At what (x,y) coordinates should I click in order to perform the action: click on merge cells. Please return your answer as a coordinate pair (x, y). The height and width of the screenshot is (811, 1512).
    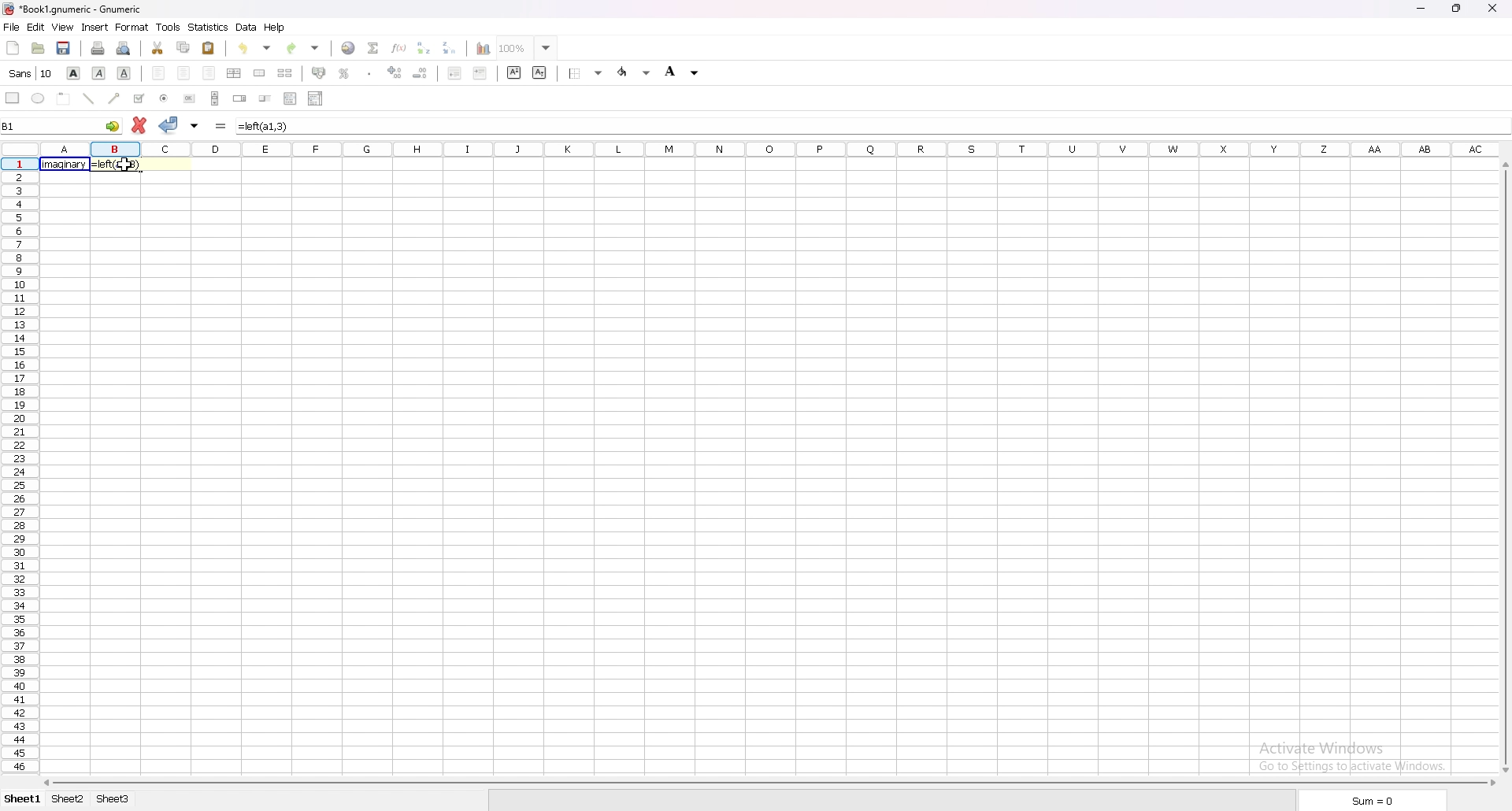
    Looking at the image, I should click on (261, 73).